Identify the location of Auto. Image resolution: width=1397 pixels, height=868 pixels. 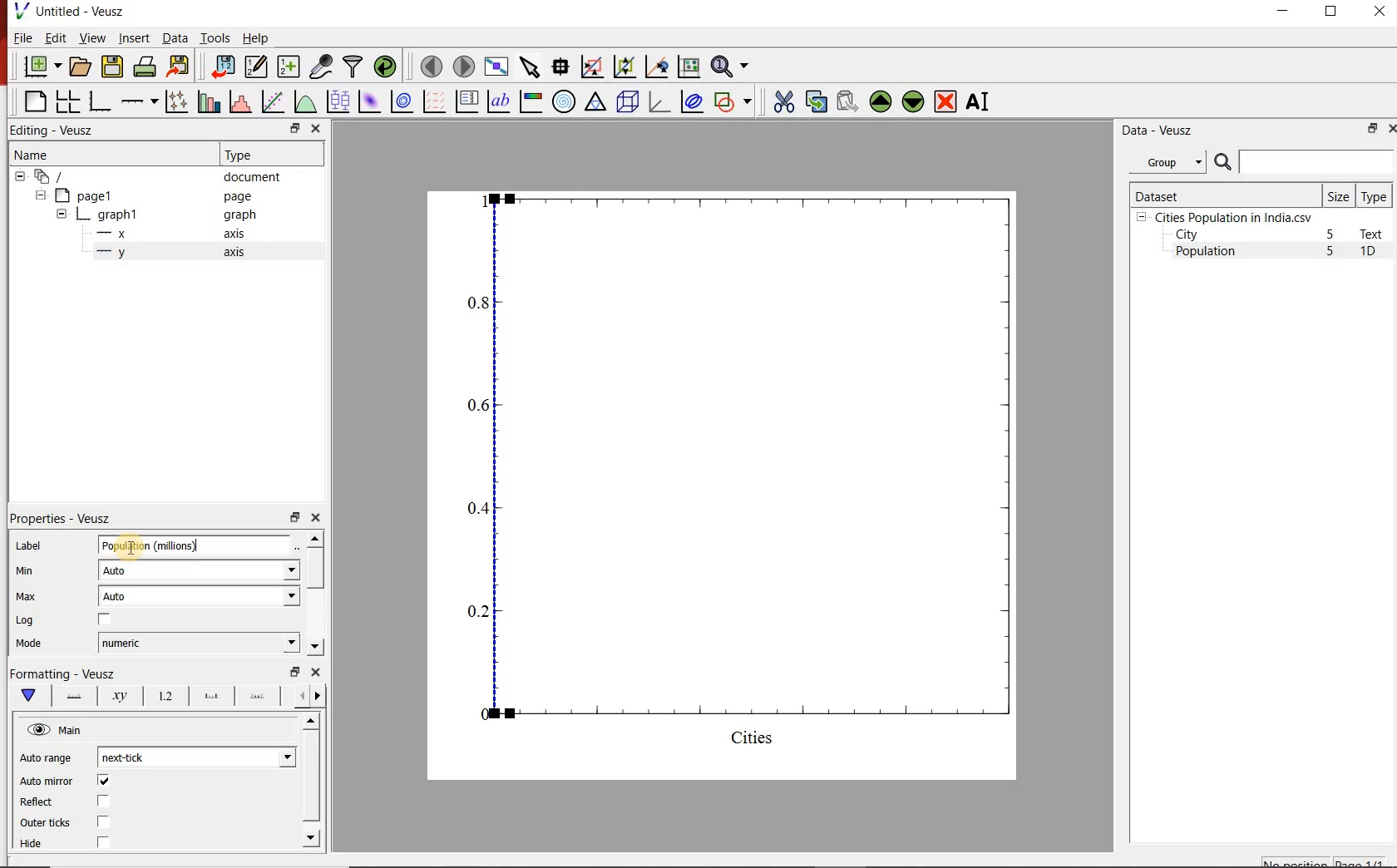
(199, 596).